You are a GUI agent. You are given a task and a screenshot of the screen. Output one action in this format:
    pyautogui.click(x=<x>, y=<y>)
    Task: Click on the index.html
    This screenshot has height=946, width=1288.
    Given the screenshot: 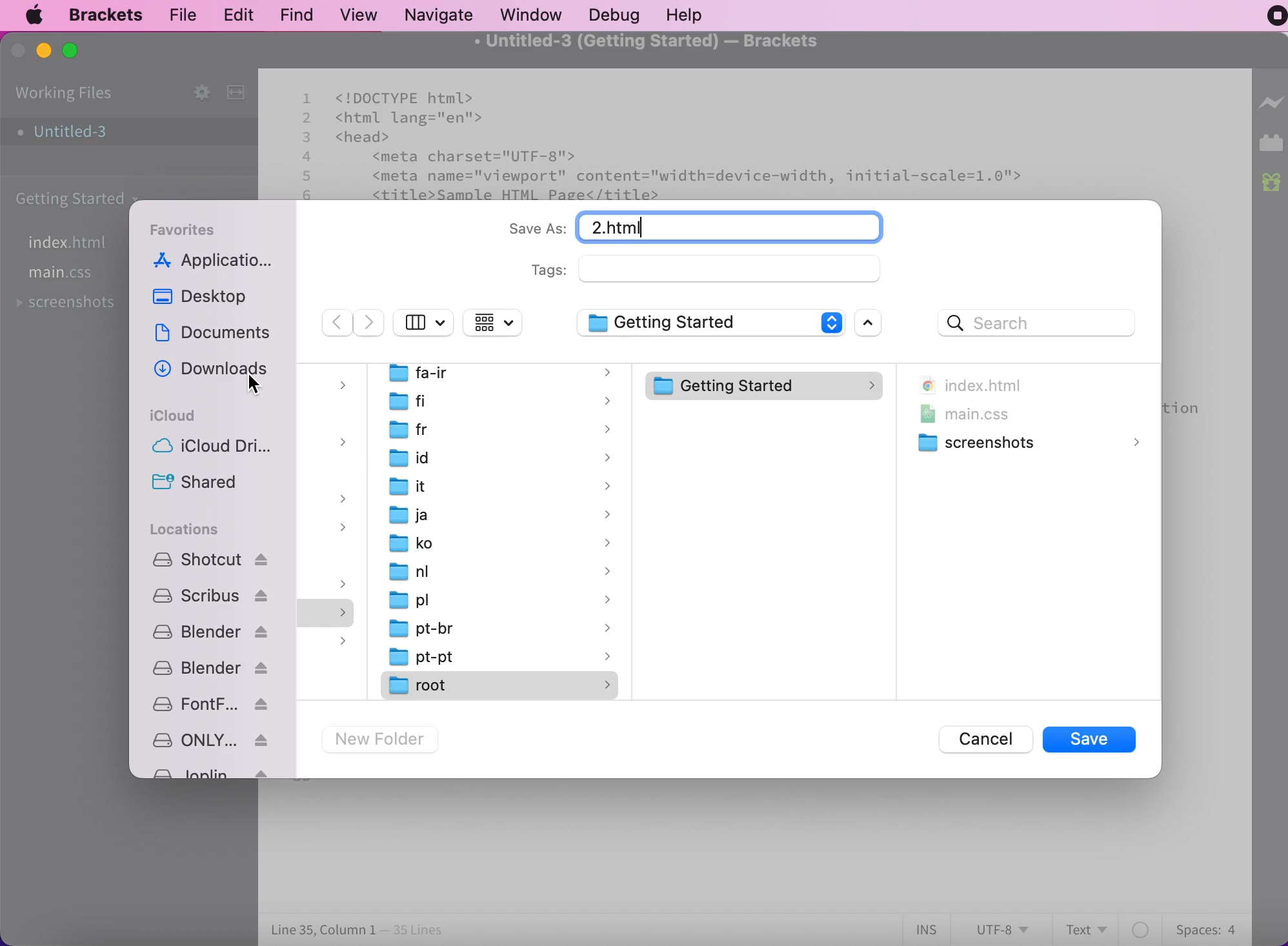 What is the action you would take?
    pyautogui.click(x=983, y=385)
    